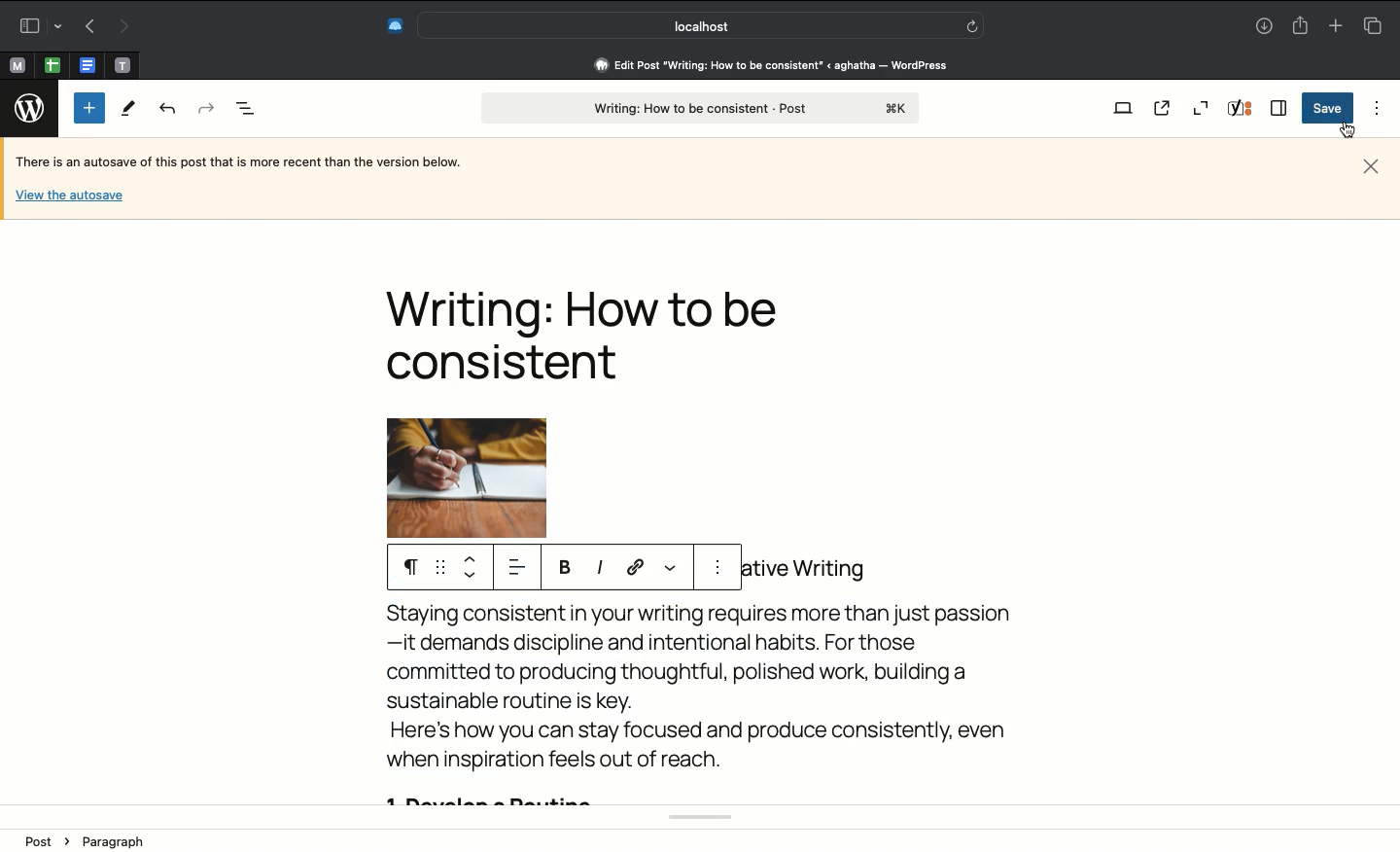  Describe the element at coordinates (671, 564) in the screenshot. I see `View more` at that location.